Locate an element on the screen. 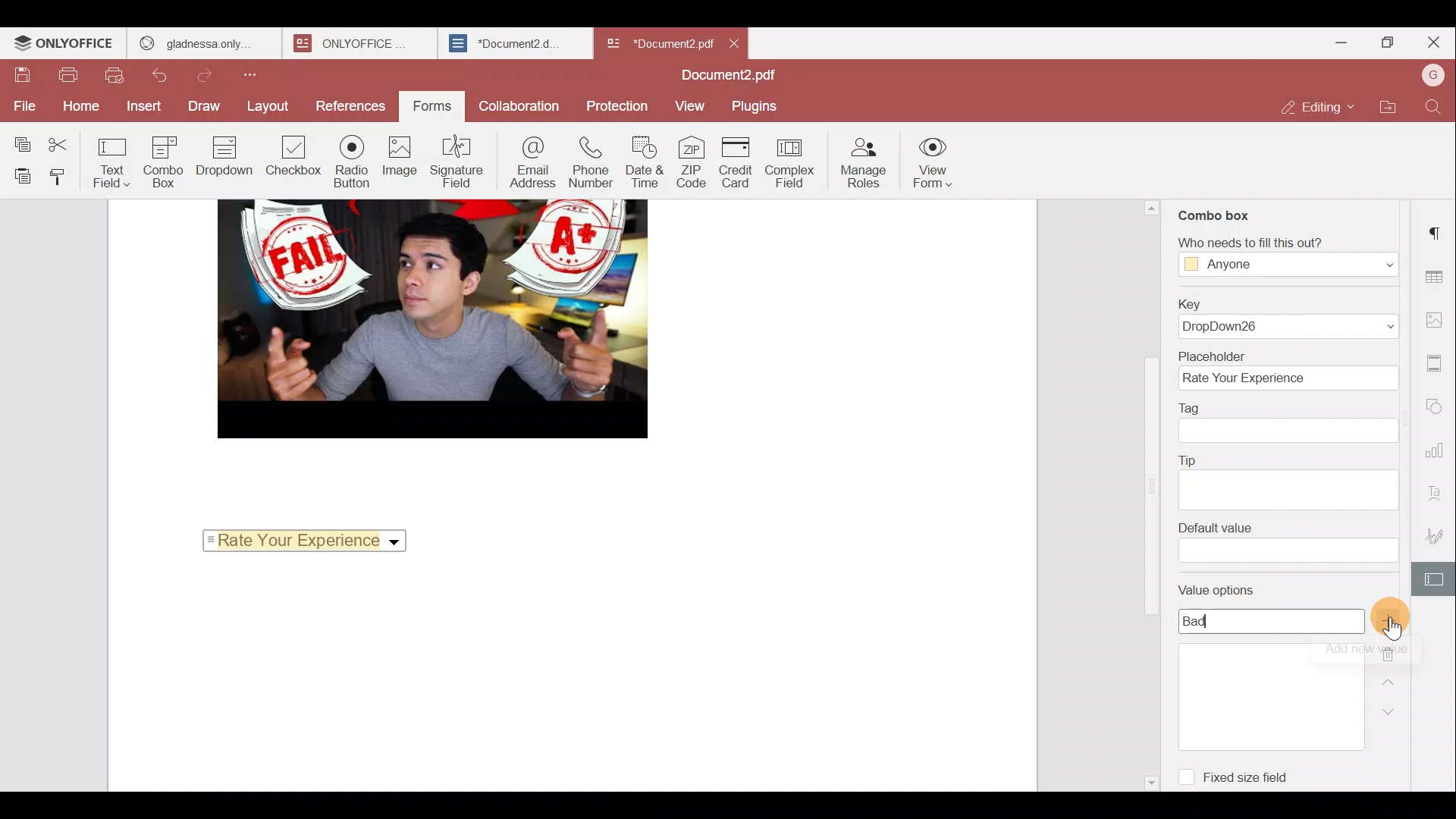 The image size is (1456, 819). Tip is located at coordinates (1289, 479).